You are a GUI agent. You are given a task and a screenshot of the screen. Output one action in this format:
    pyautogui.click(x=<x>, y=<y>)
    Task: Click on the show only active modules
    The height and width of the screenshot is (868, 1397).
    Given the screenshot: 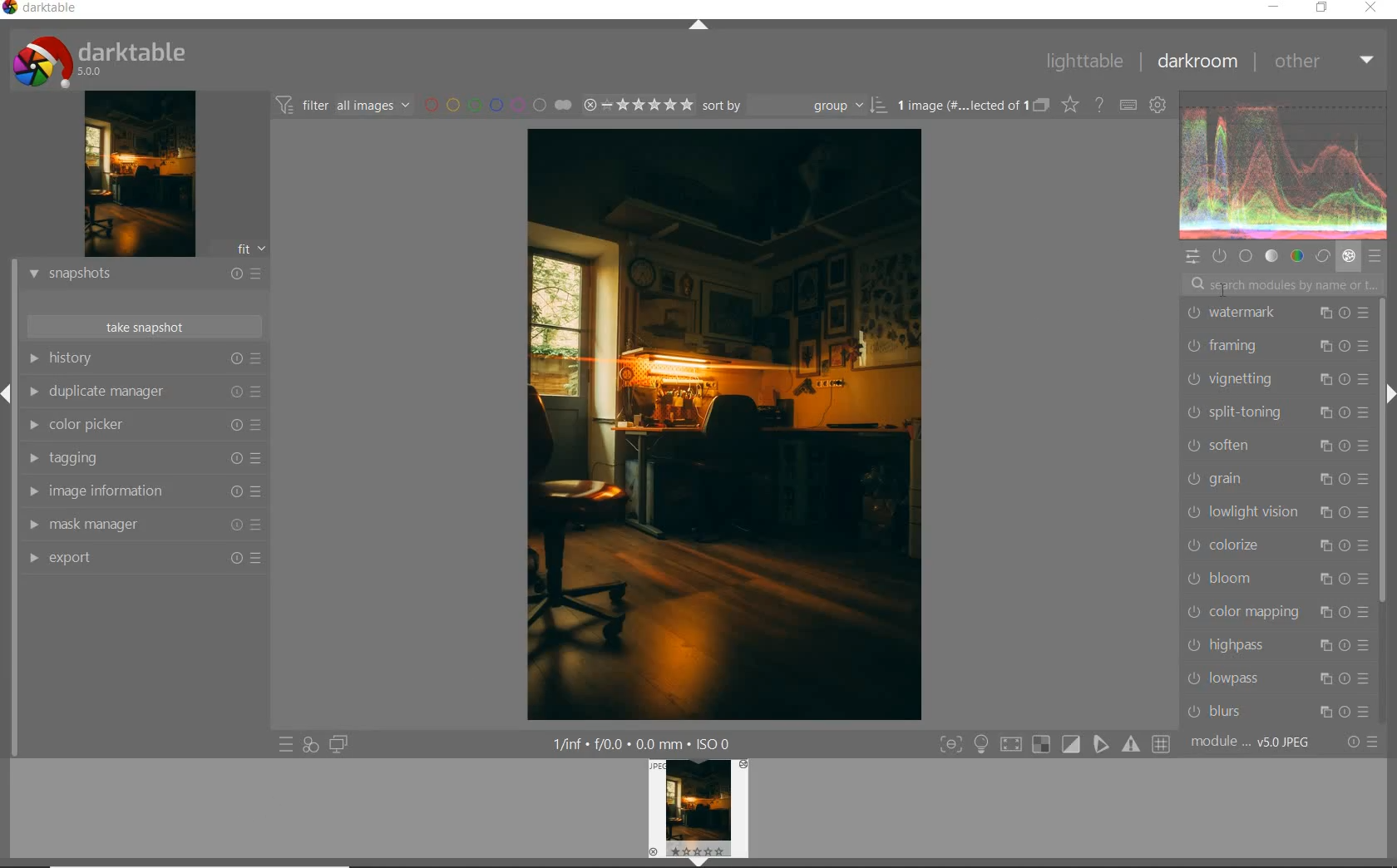 What is the action you would take?
    pyautogui.click(x=1220, y=256)
    